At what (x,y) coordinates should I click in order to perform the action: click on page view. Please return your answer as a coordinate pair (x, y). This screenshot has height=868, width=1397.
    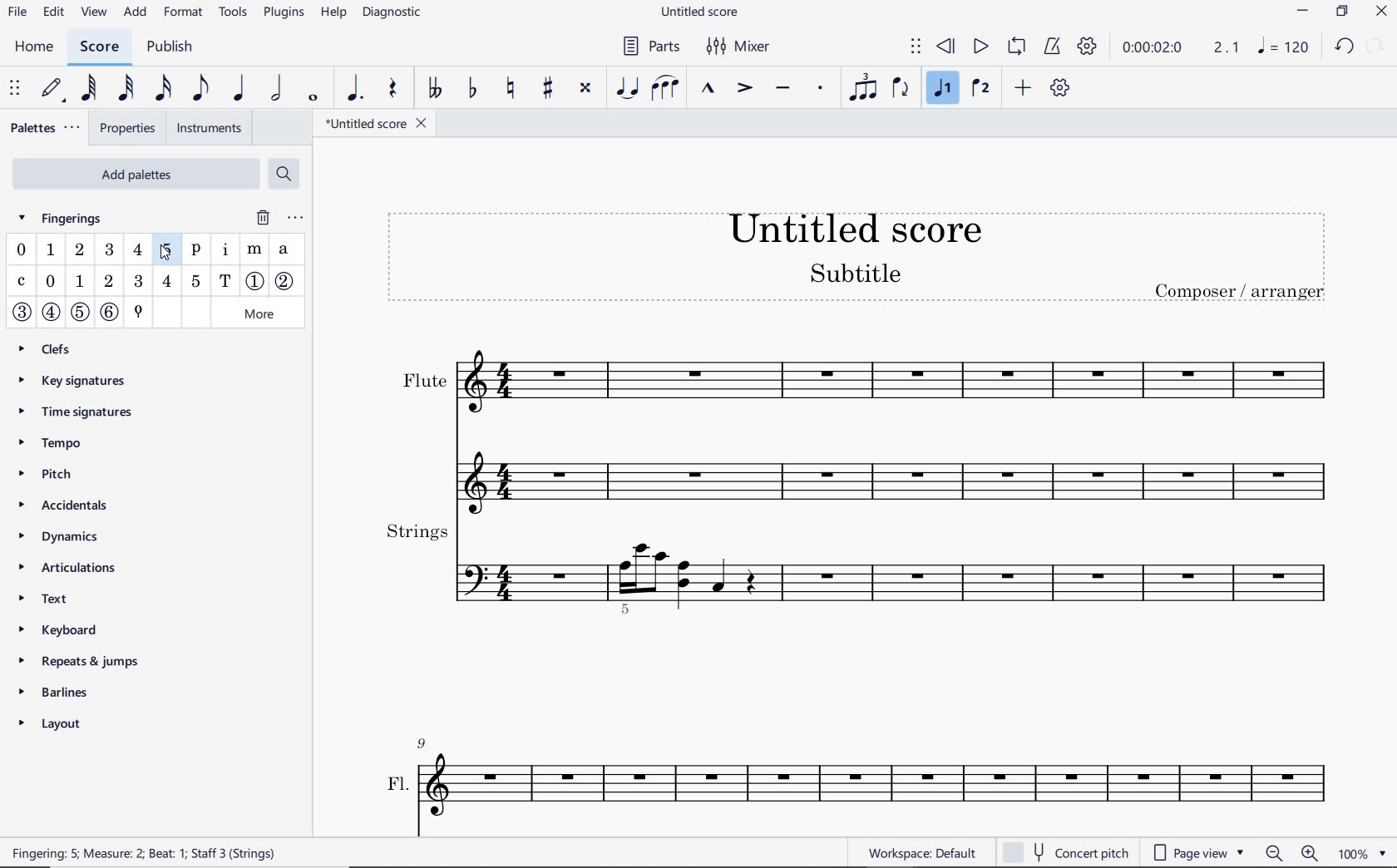
    Looking at the image, I should click on (1197, 854).